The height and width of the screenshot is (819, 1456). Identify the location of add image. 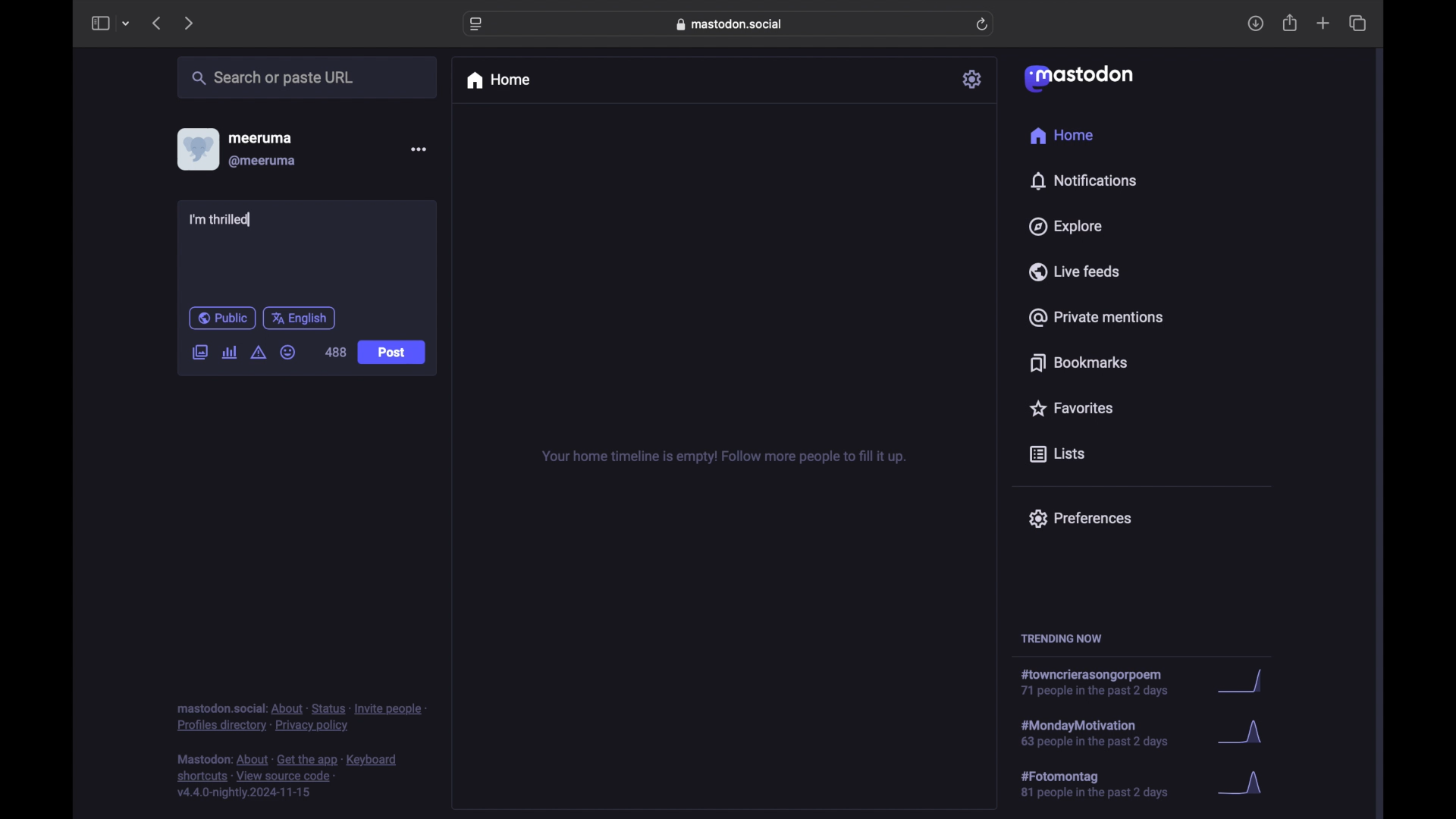
(199, 353).